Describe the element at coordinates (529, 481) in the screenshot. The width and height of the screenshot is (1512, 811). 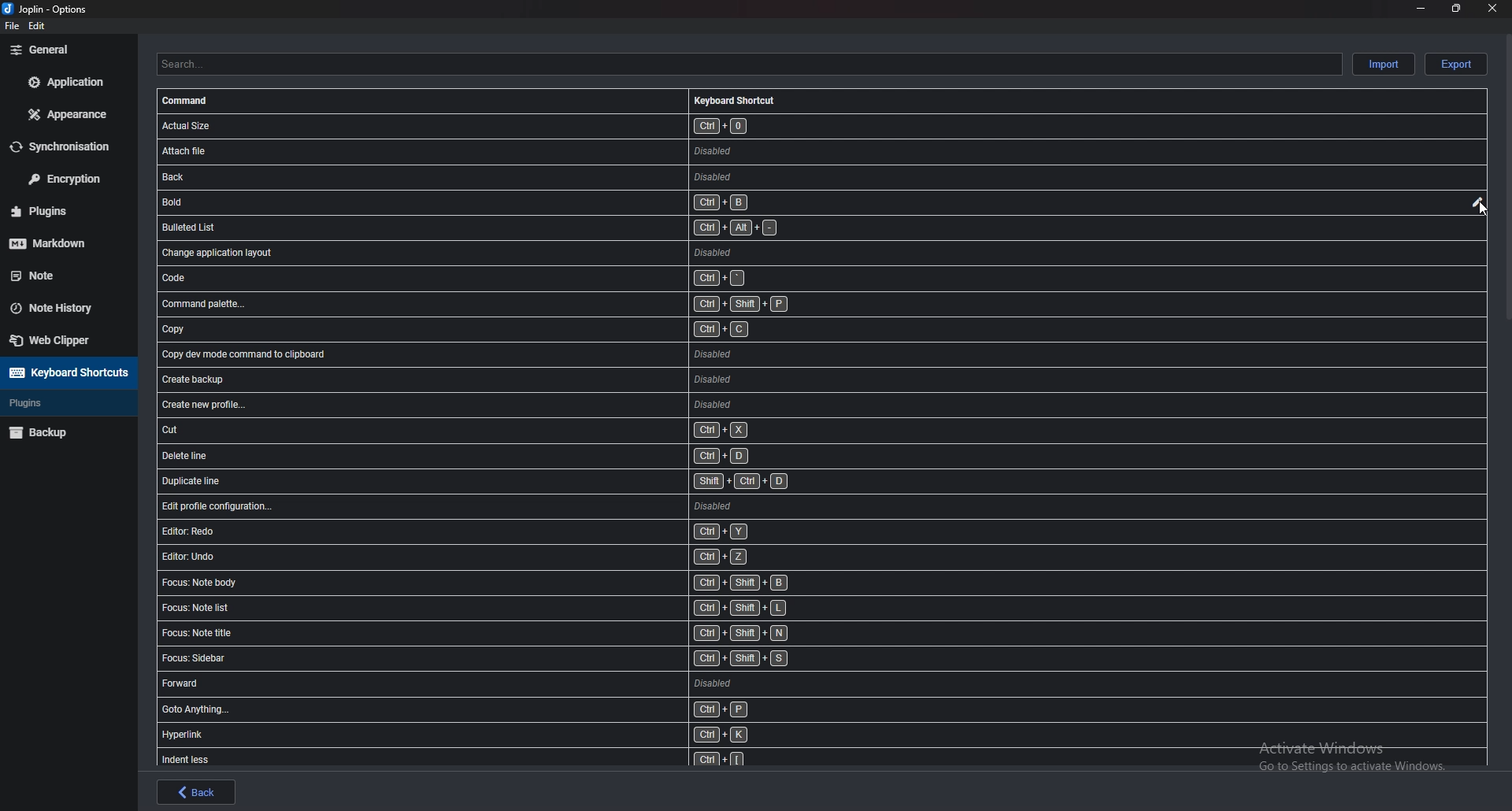
I see `shortcut` at that location.